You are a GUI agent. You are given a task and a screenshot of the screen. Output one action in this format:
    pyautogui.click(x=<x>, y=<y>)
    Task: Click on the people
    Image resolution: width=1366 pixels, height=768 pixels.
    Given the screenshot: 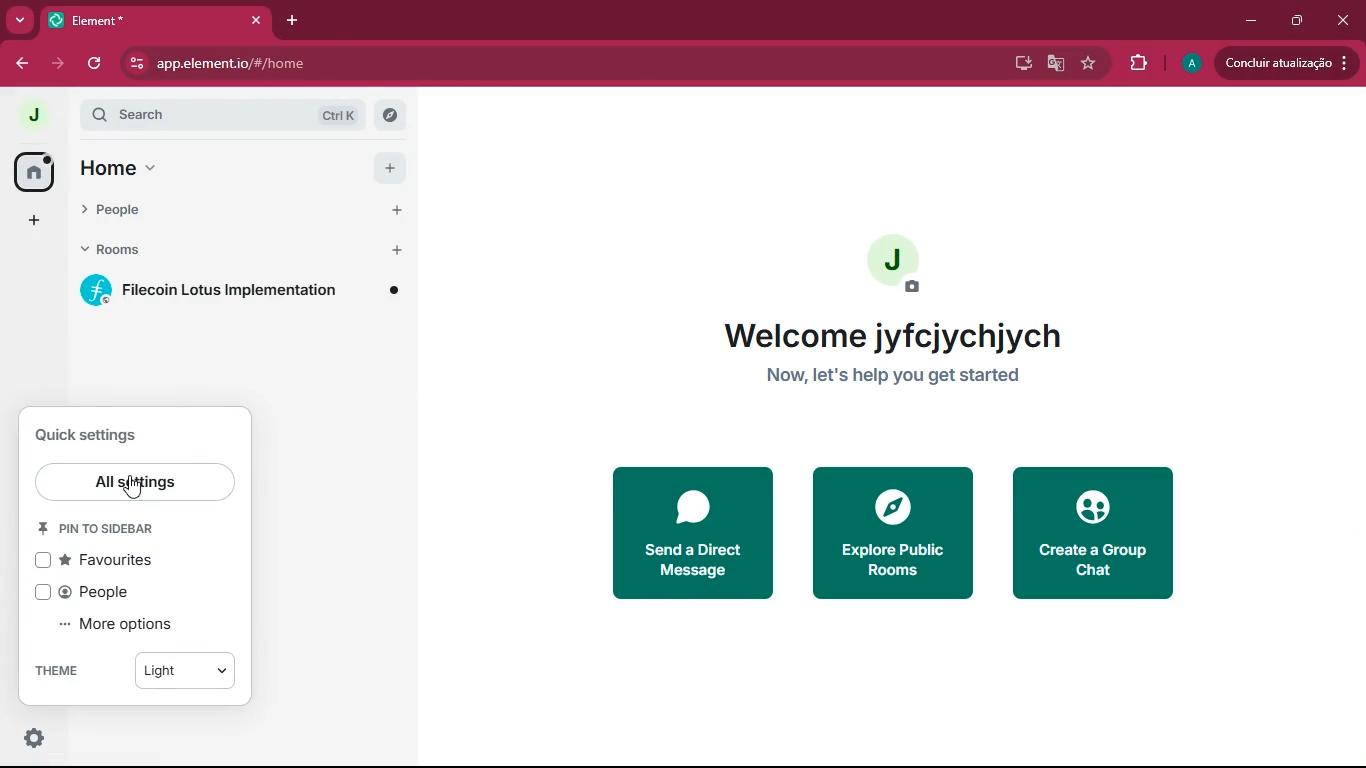 What is the action you would take?
    pyautogui.click(x=241, y=216)
    